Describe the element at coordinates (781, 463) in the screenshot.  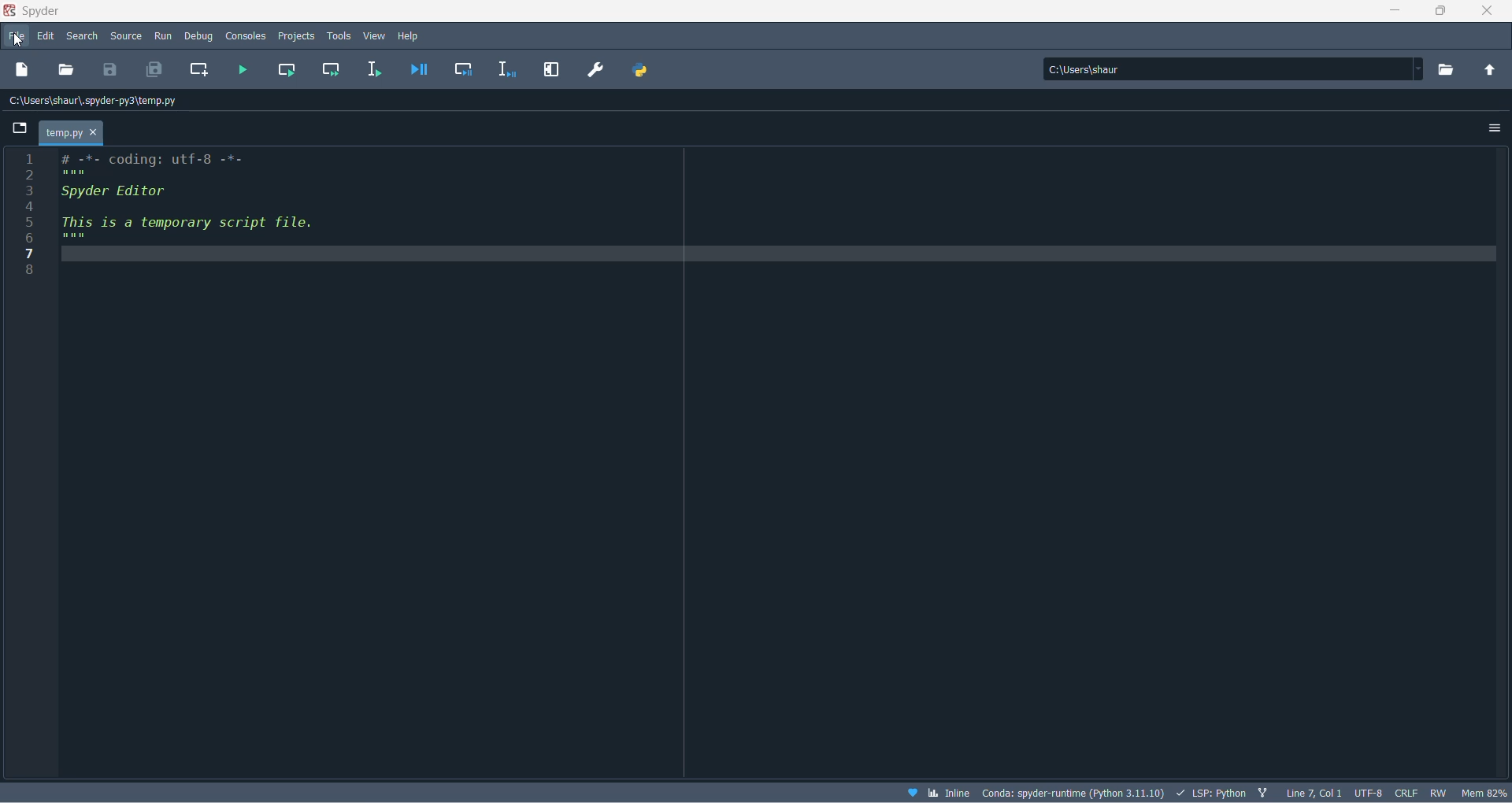
I see `code writing pad` at that location.